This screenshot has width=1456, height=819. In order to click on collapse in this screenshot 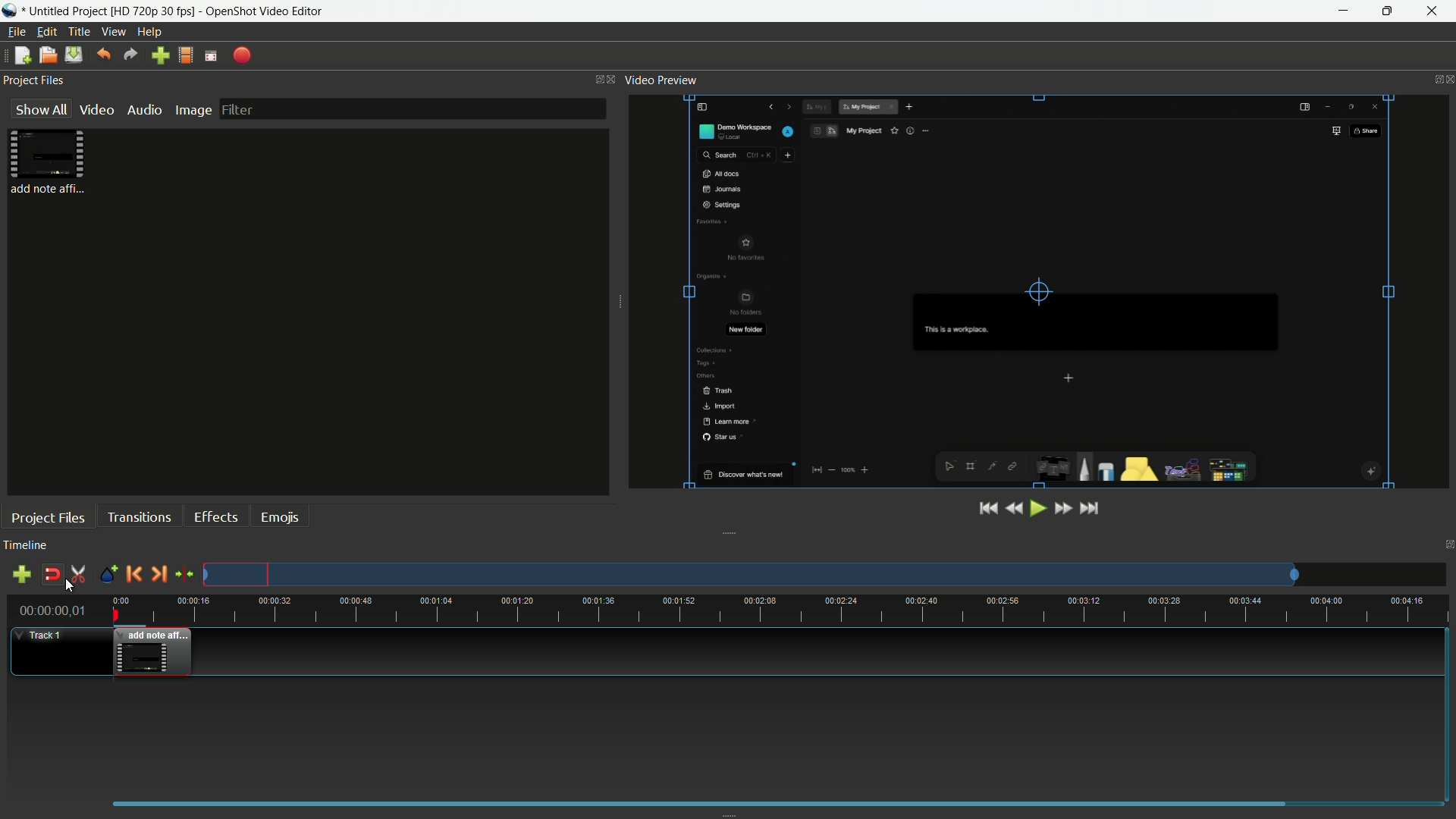, I will do `click(730, 534)`.